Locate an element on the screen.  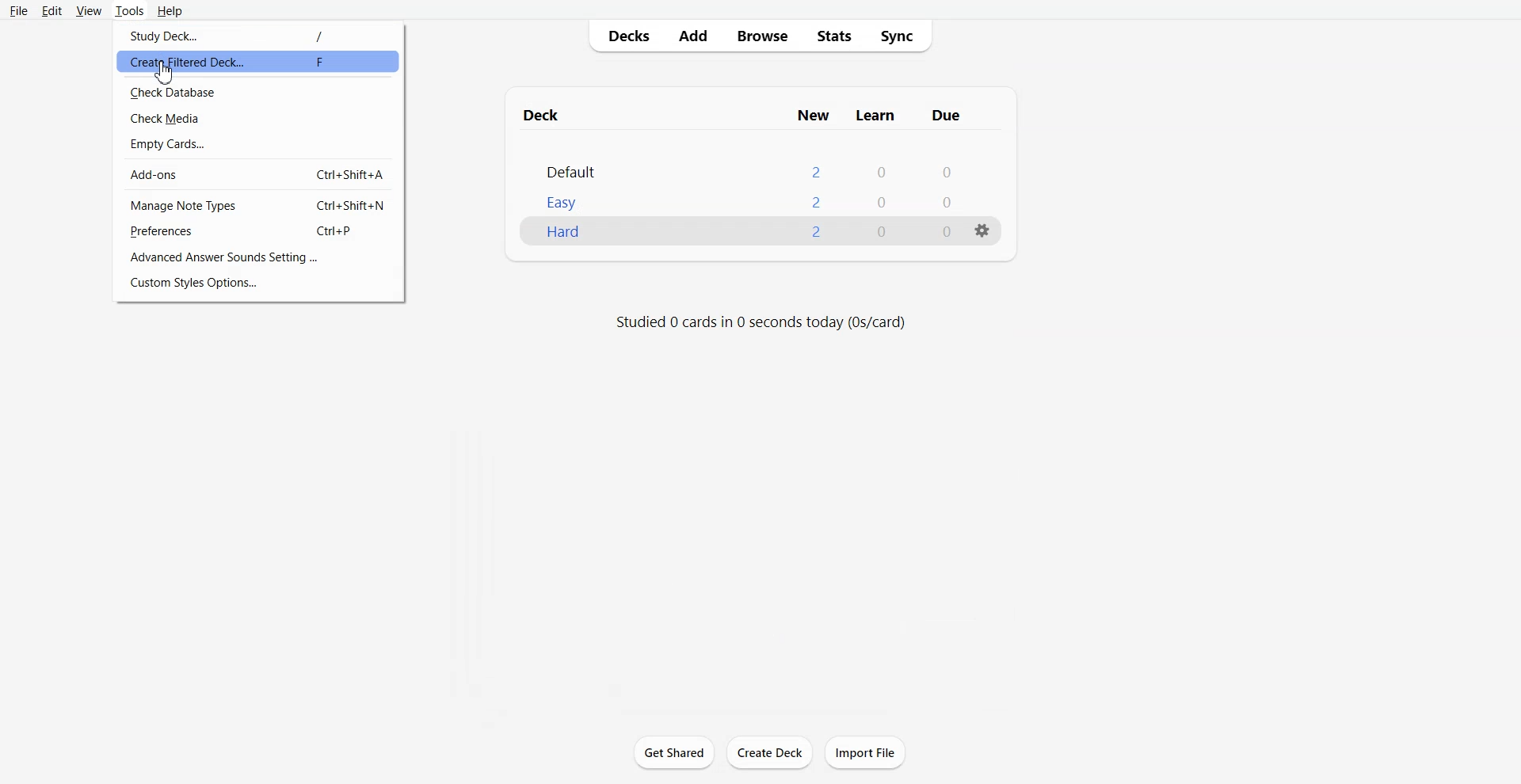
Deck File is located at coordinates (755, 160).